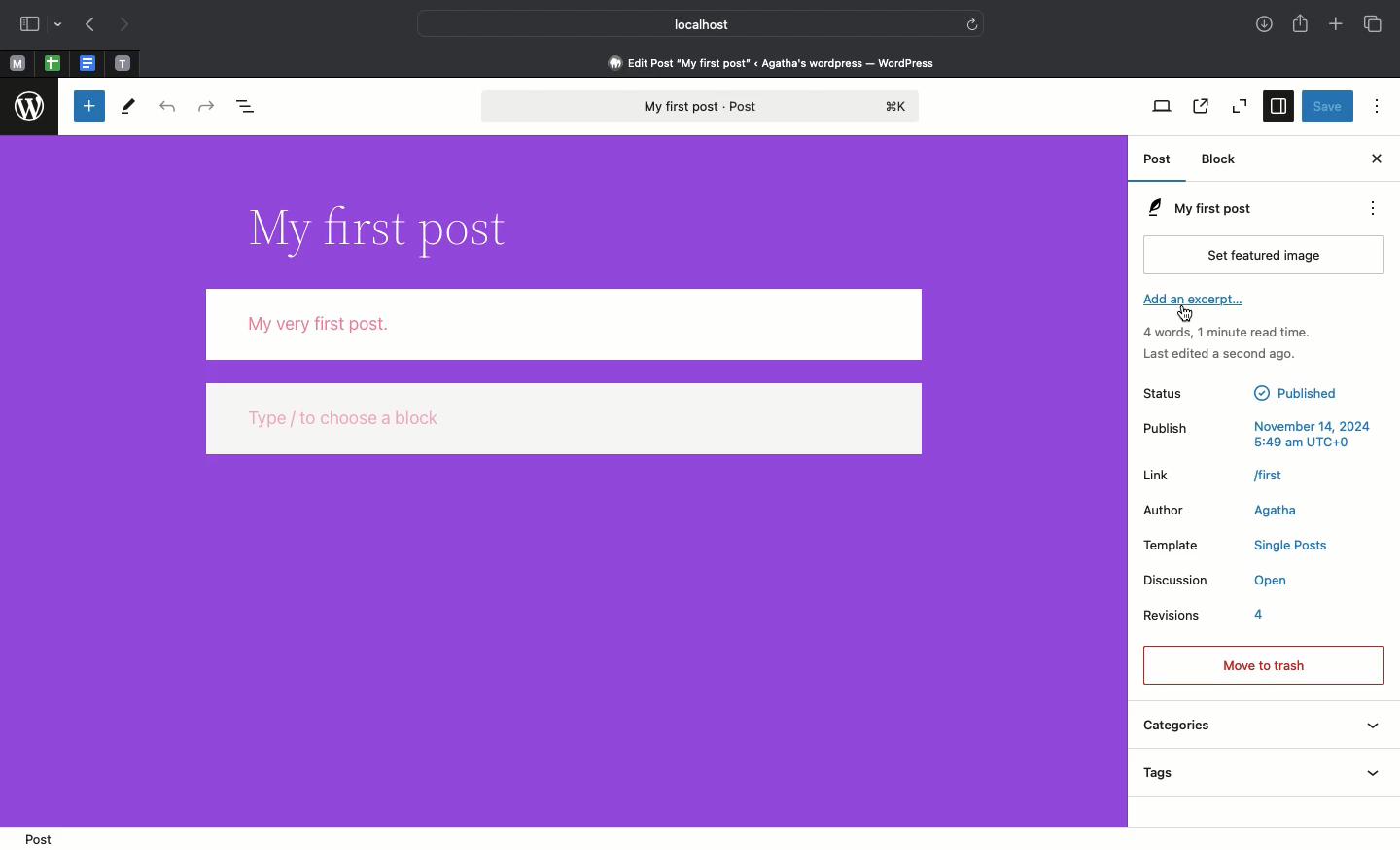  I want to click on Localhost, so click(687, 24).